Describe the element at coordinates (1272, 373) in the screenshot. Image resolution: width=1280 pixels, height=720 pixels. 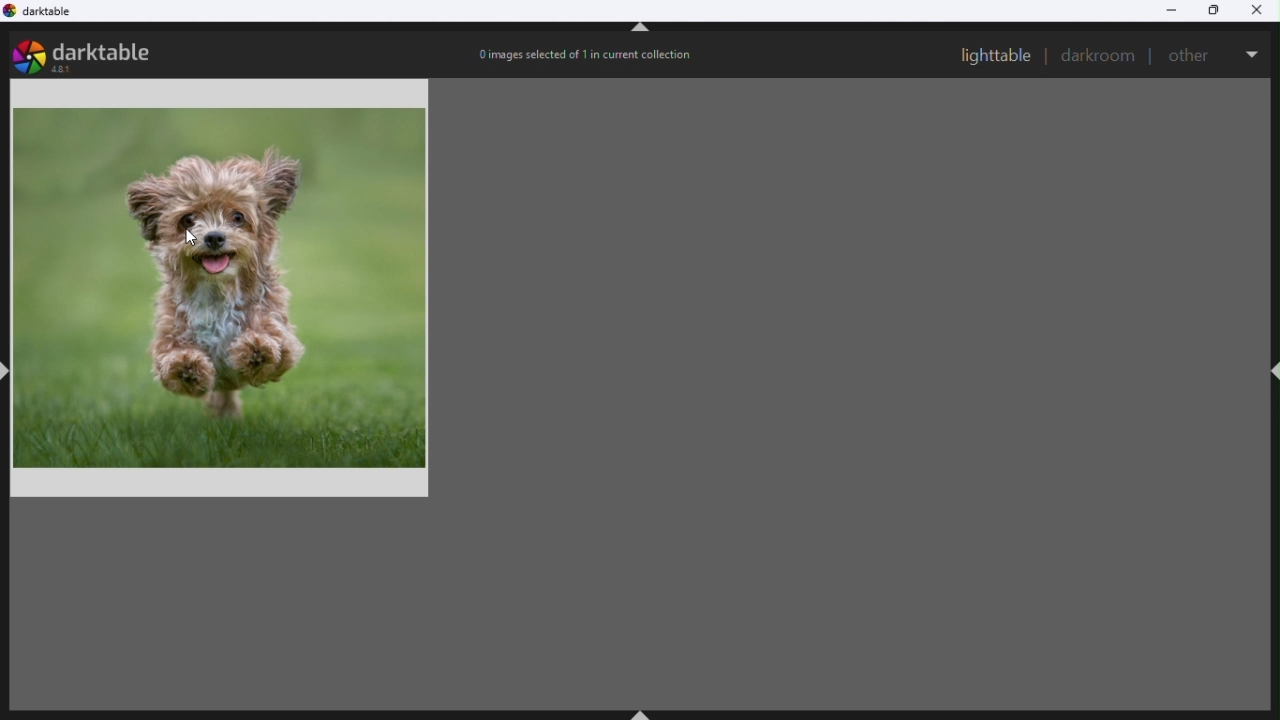
I see `ctrl+shift+` at that location.